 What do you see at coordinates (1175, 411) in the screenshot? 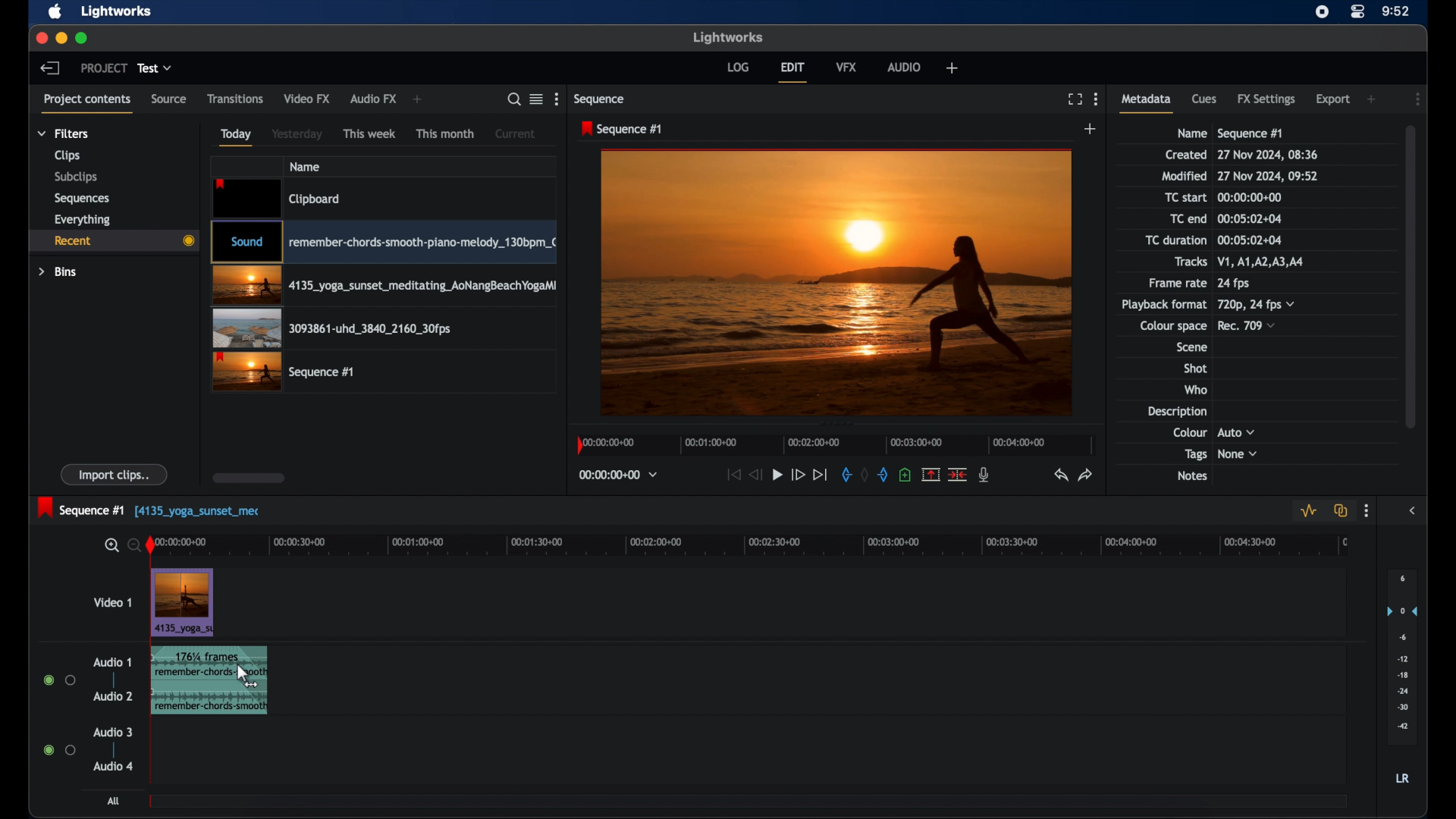
I see `description` at bounding box center [1175, 411].